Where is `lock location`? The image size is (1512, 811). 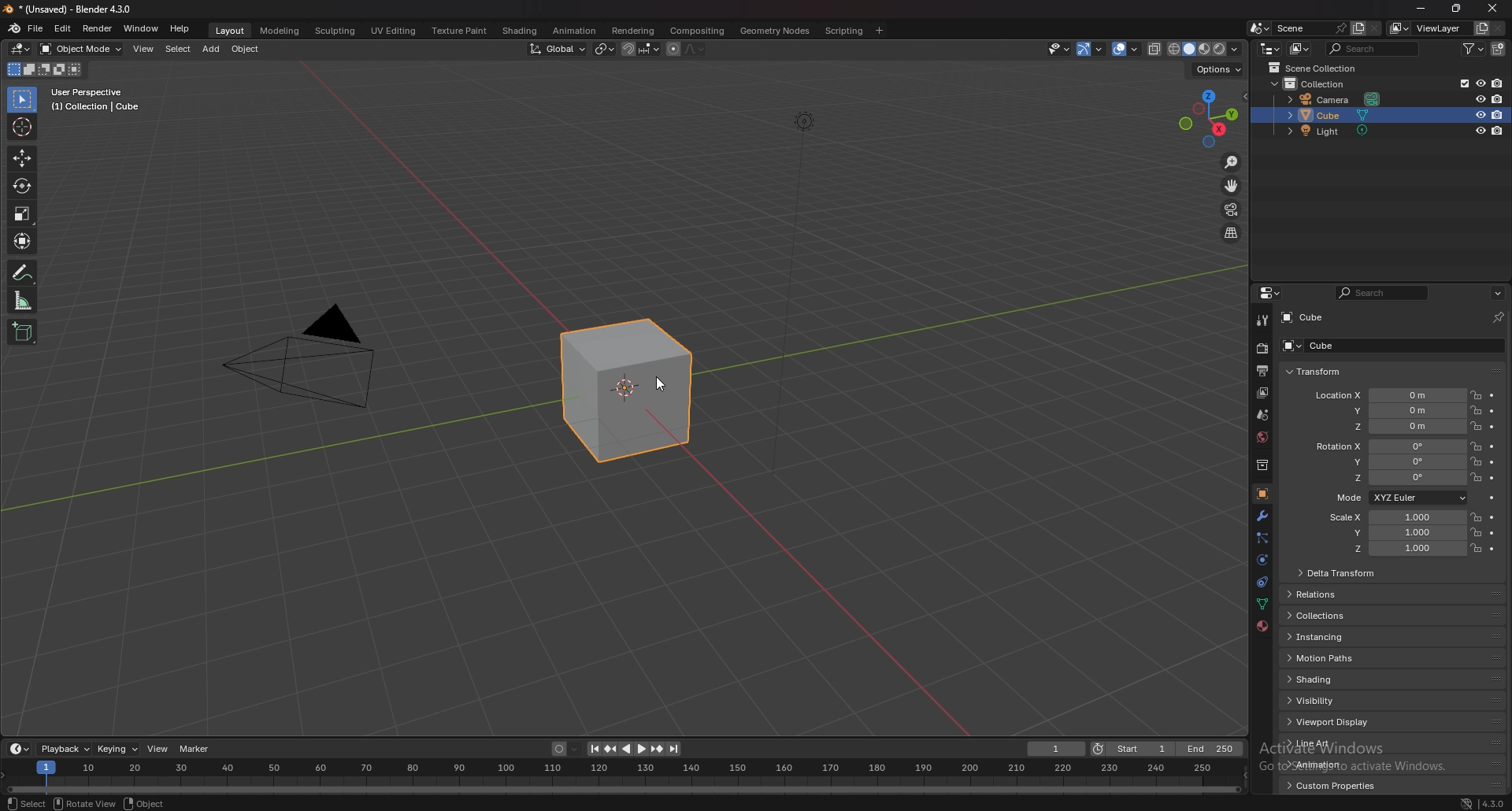 lock location is located at coordinates (1477, 426).